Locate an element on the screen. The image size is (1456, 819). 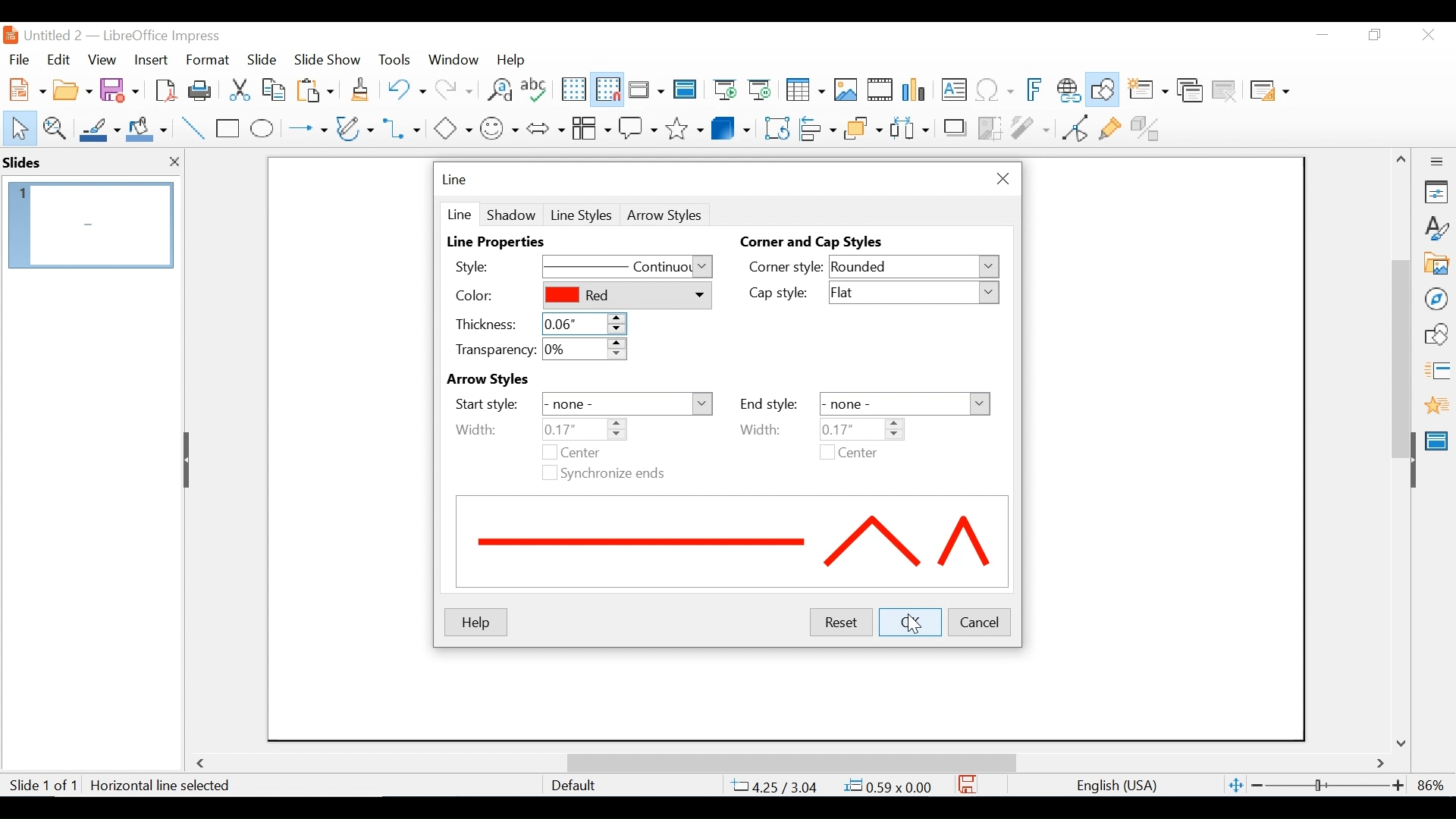
Red is located at coordinates (626, 296).